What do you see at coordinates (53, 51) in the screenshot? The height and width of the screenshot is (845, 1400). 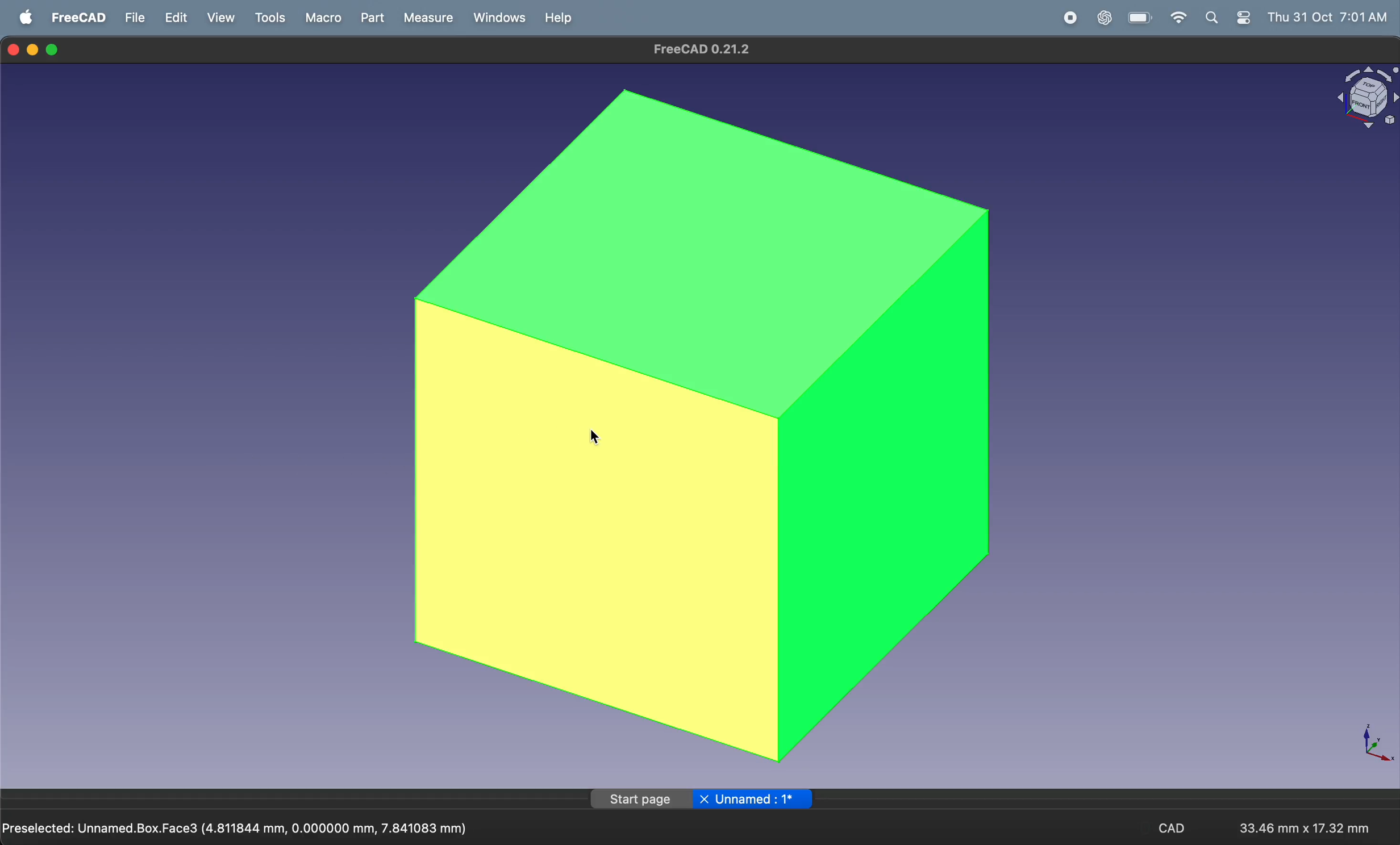 I see `maximize` at bounding box center [53, 51].